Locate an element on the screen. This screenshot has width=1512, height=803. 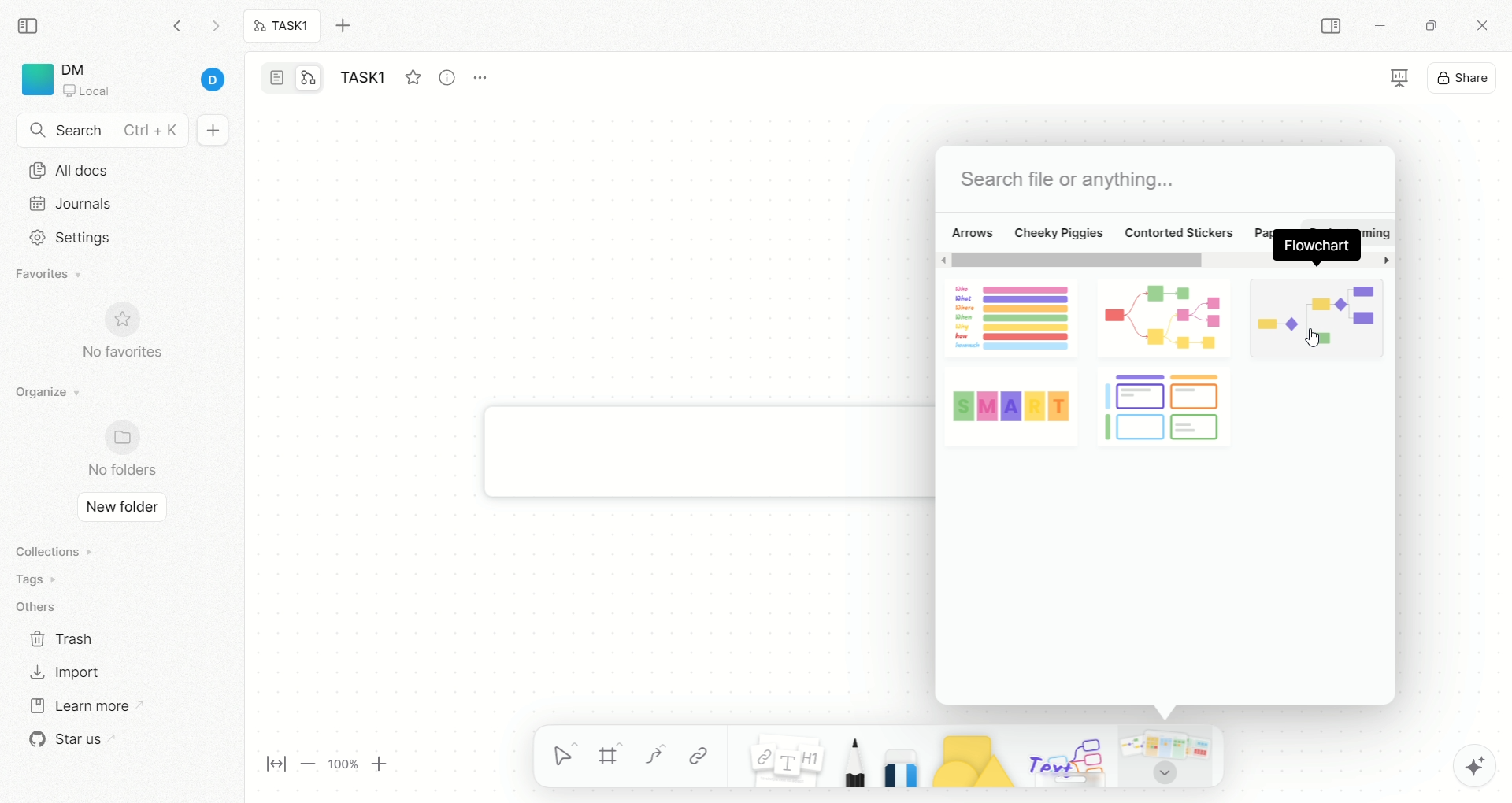
share is located at coordinates (1464, 76).